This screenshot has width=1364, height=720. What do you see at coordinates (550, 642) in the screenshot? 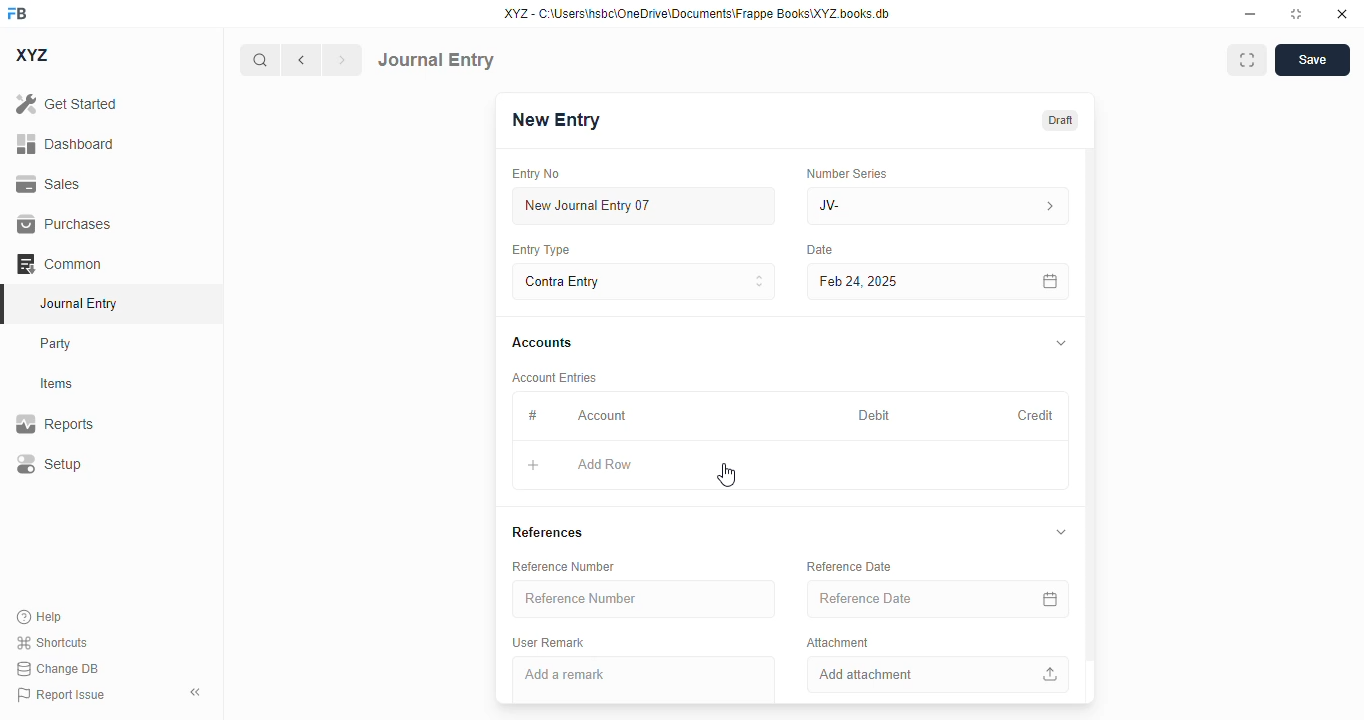
I see `user remark` at bounding box center [550, 642].